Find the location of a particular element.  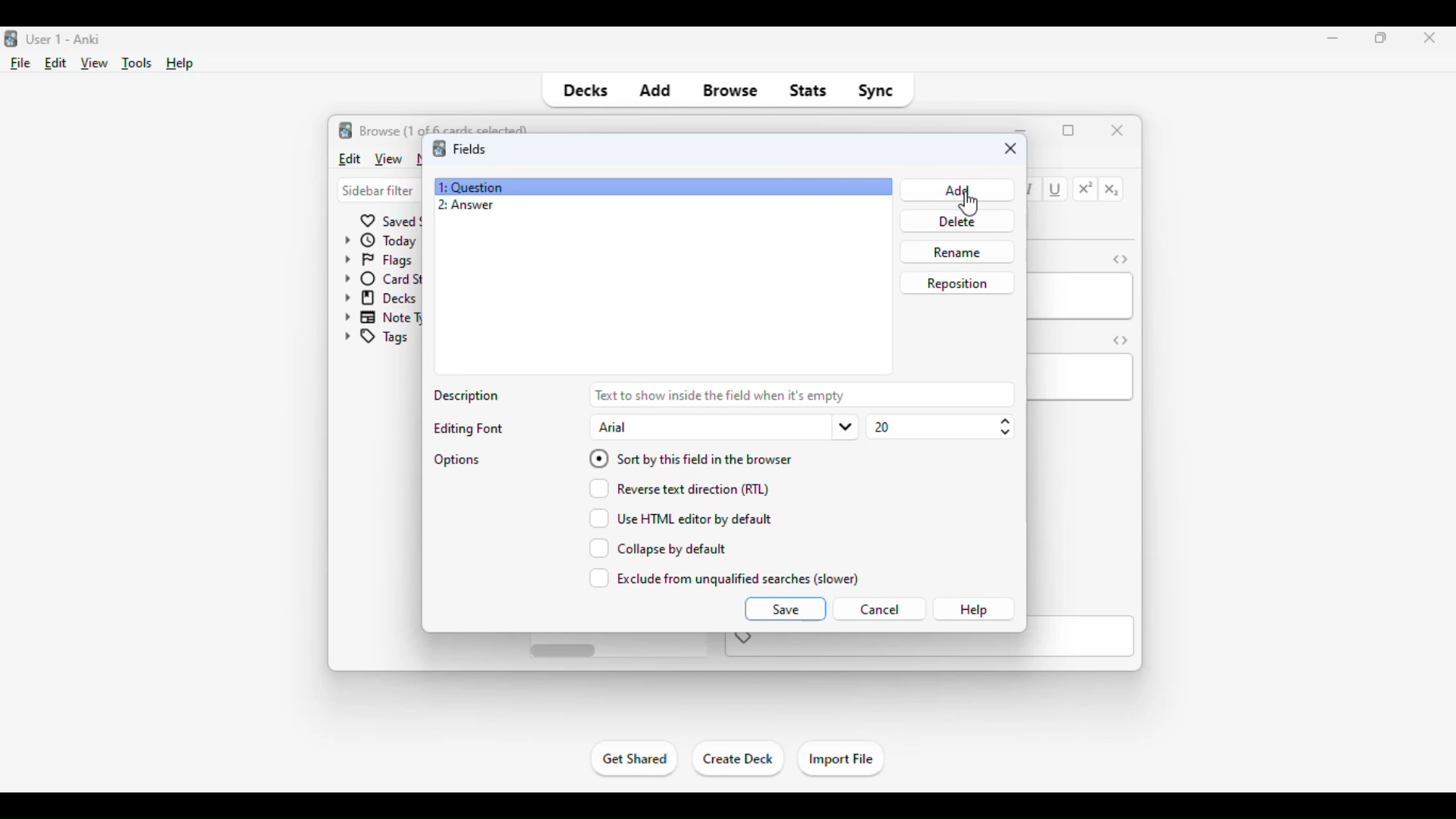

superscript is located at coordinates (1086, 189).